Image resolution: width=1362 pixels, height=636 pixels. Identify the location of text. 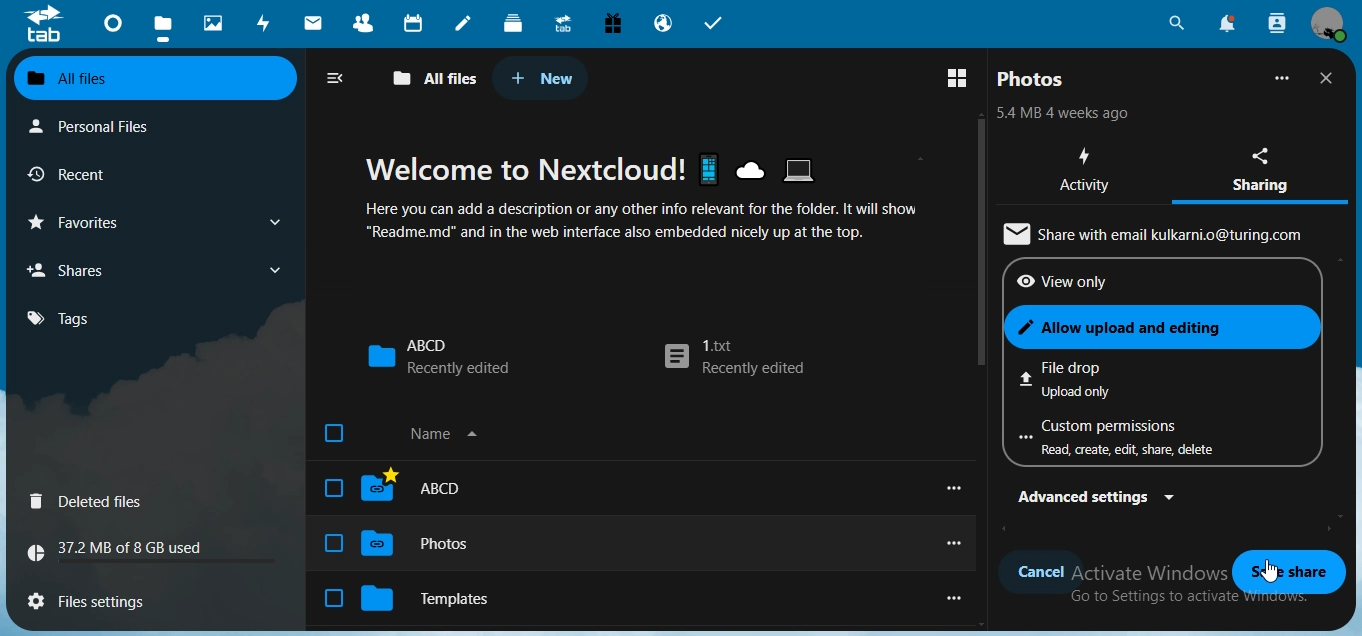
(1161, 232).